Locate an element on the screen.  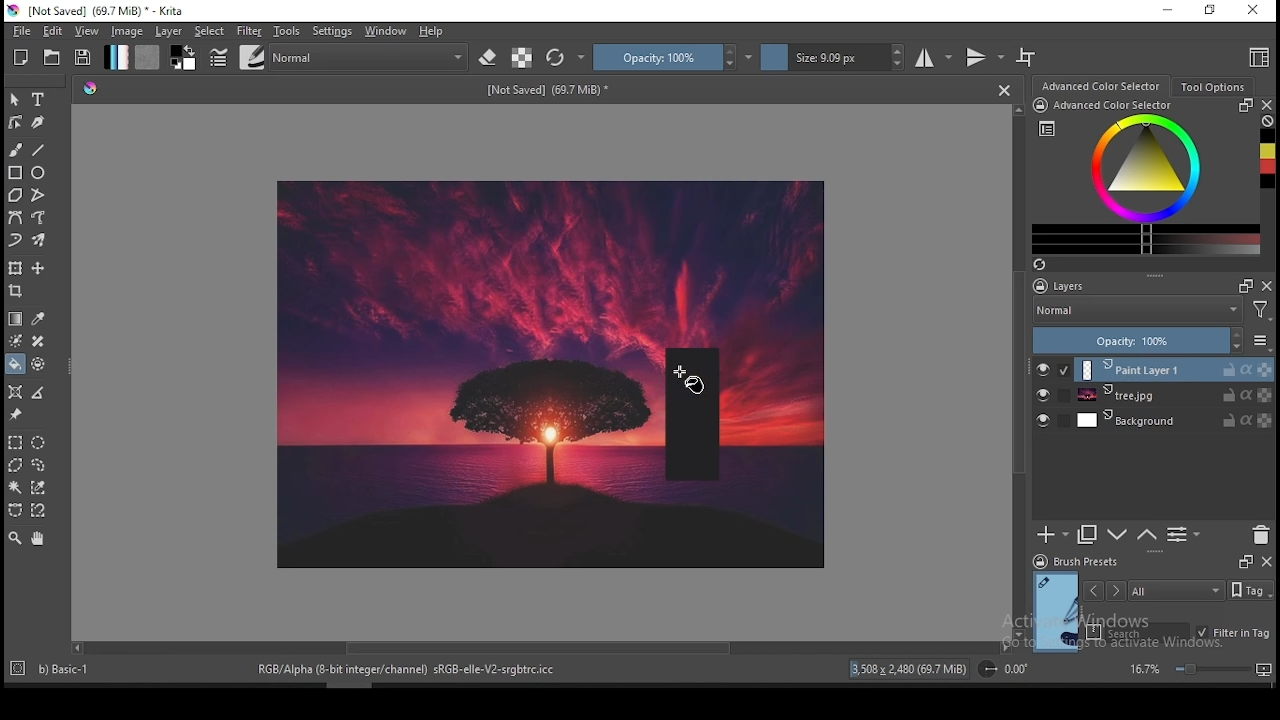
rectangle tool is located at coordinates (14, 173).